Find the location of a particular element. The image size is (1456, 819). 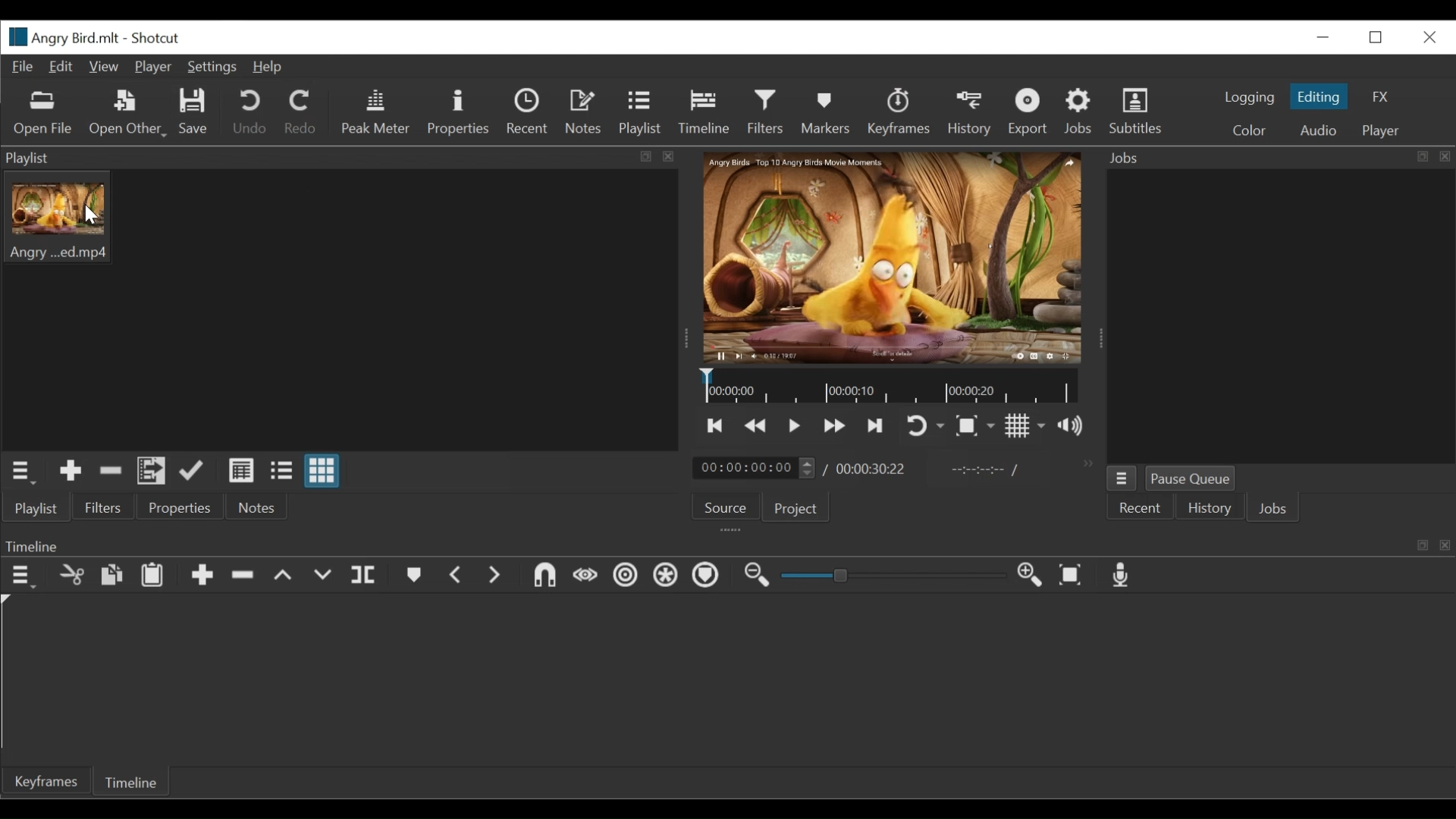

Player is located at coordinates (153, 65).